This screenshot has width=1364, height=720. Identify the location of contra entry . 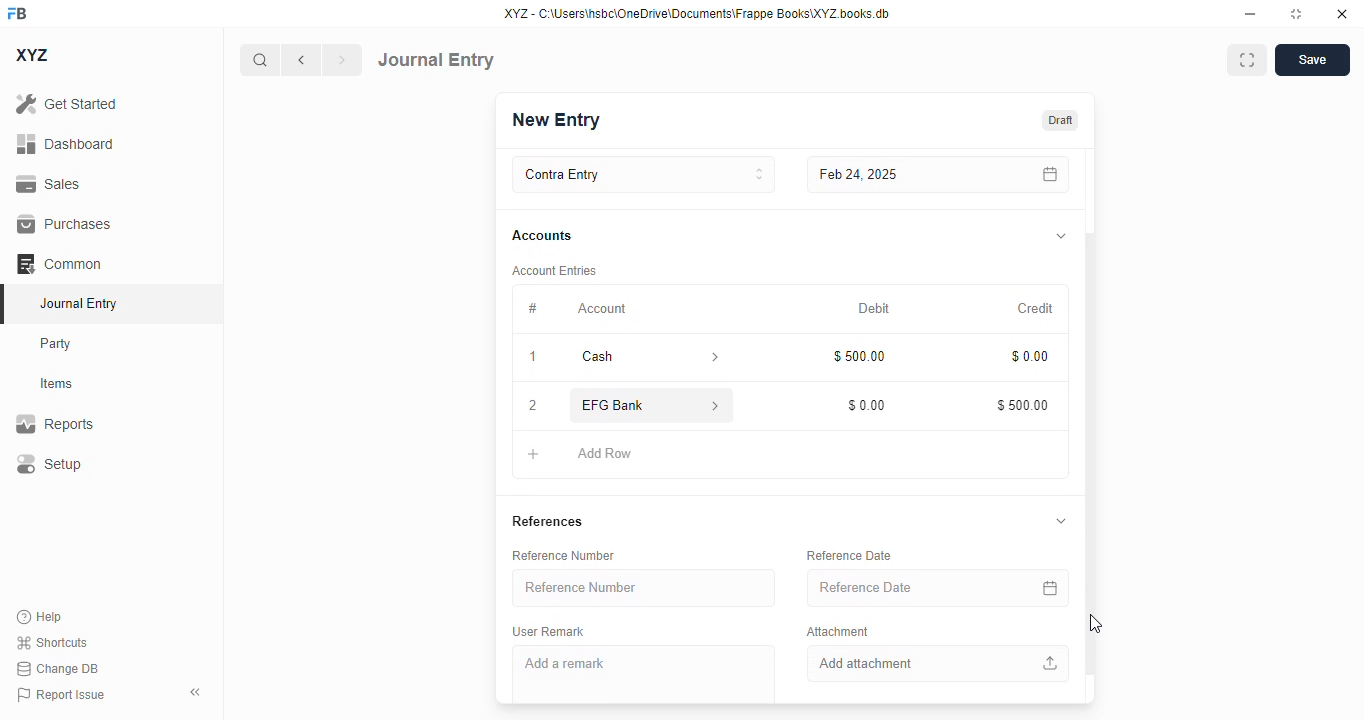
(643, 175).